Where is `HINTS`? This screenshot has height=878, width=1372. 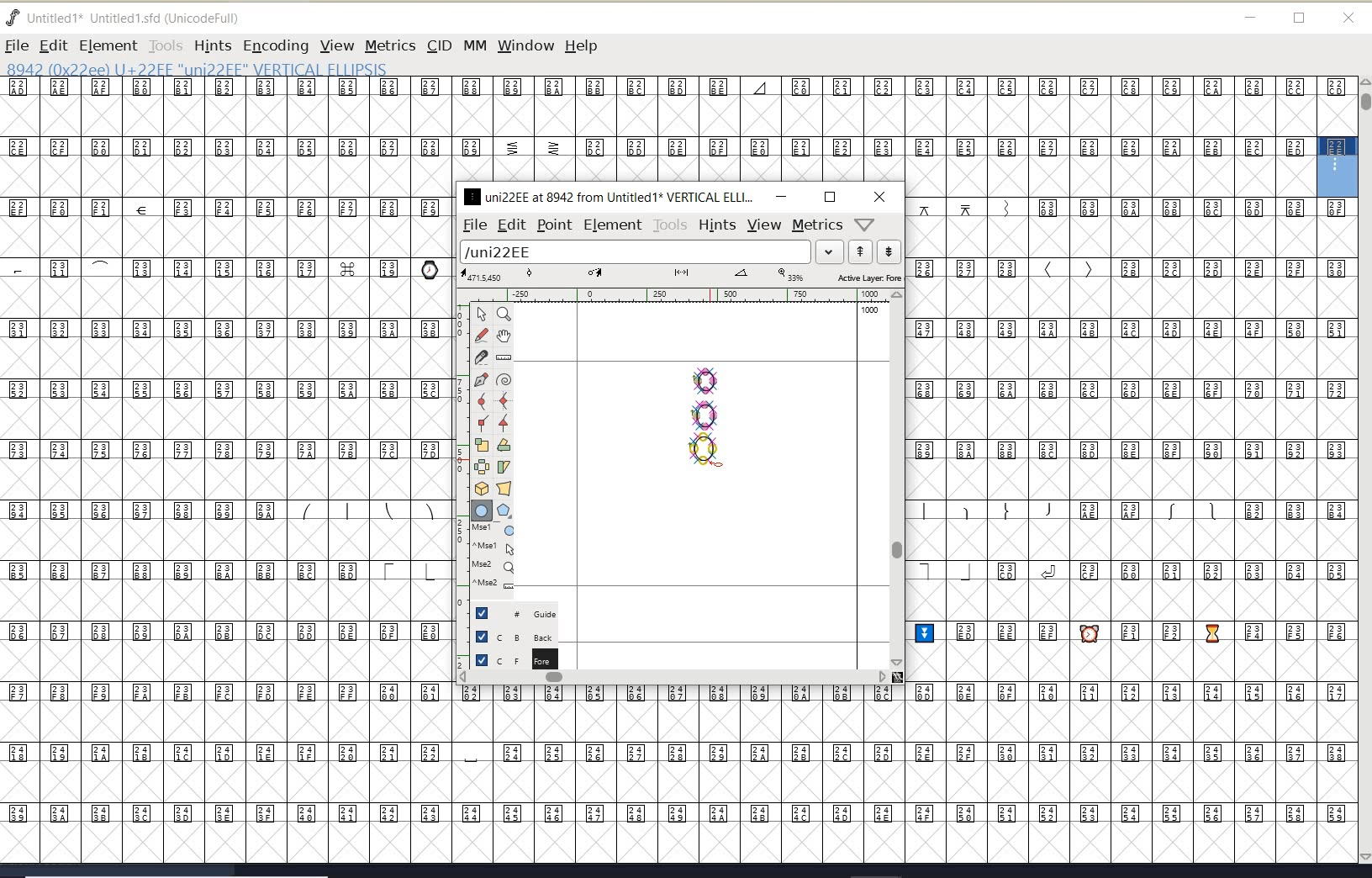 HINTS is located at coordinates (212, 46).